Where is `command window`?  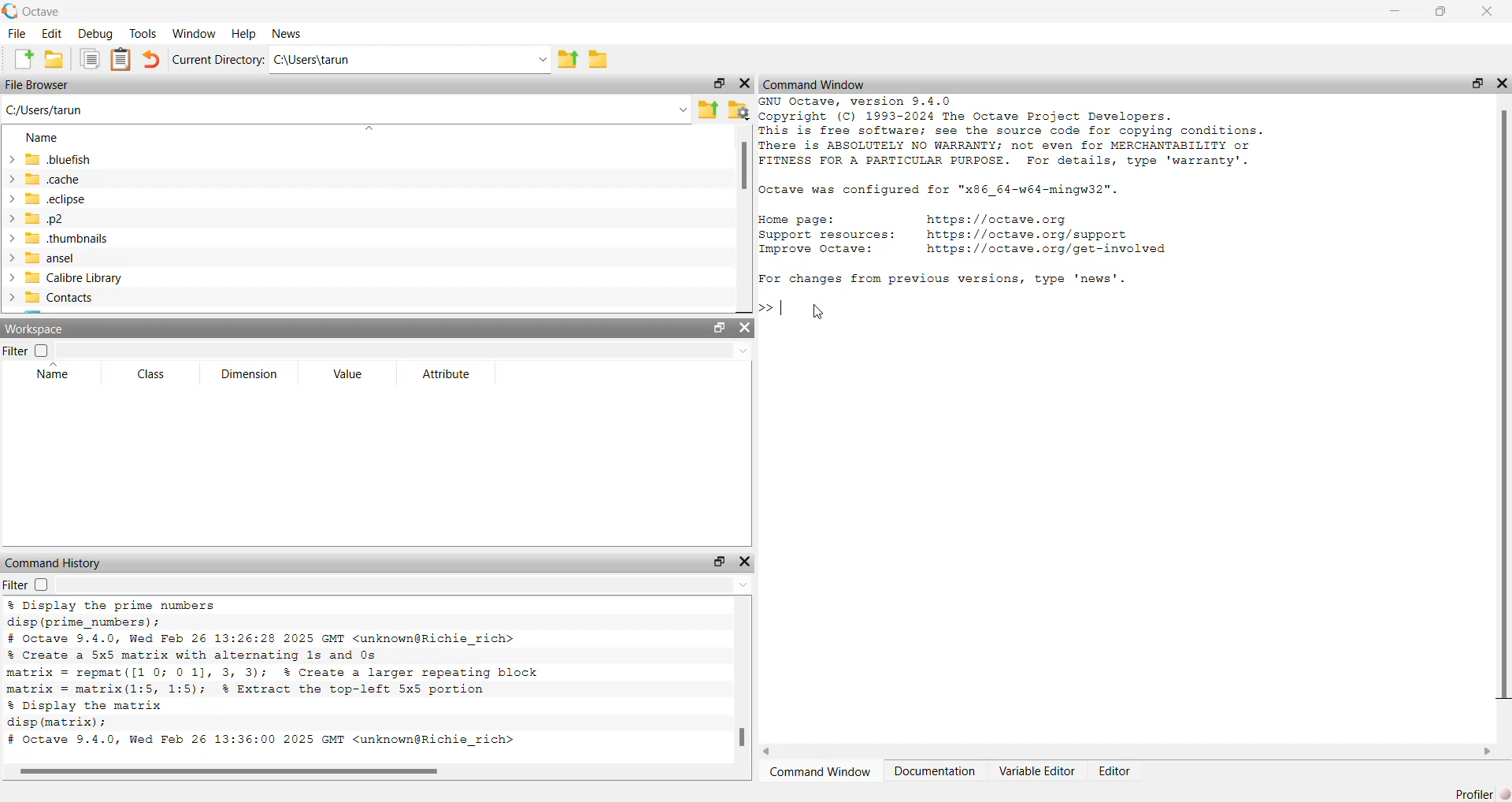 command window is located at coordinates (821, 83).